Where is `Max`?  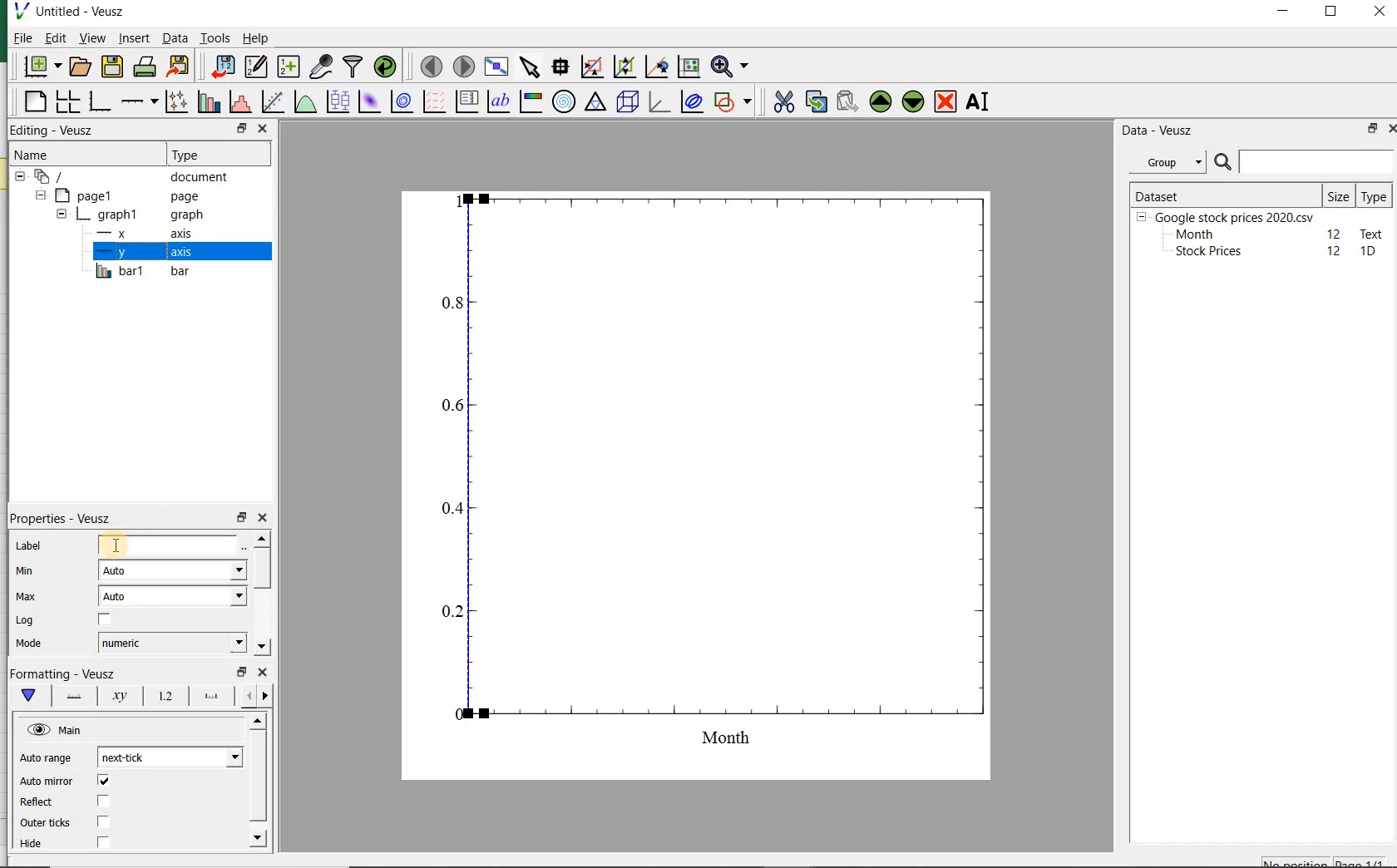 Max is located at coordinates (27, 598).